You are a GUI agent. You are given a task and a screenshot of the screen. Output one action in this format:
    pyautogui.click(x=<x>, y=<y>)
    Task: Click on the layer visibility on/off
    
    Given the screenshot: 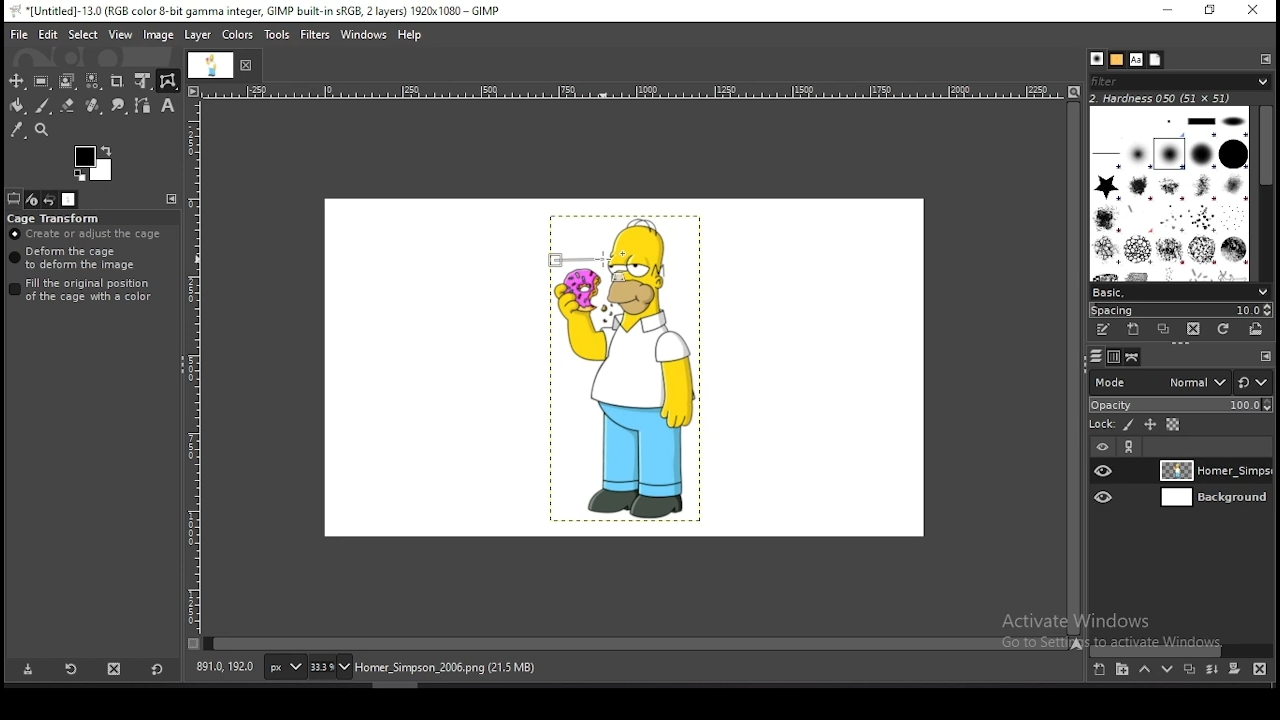 What is the action you would take?
    pyautogui.click(x=1105, y=471)
    